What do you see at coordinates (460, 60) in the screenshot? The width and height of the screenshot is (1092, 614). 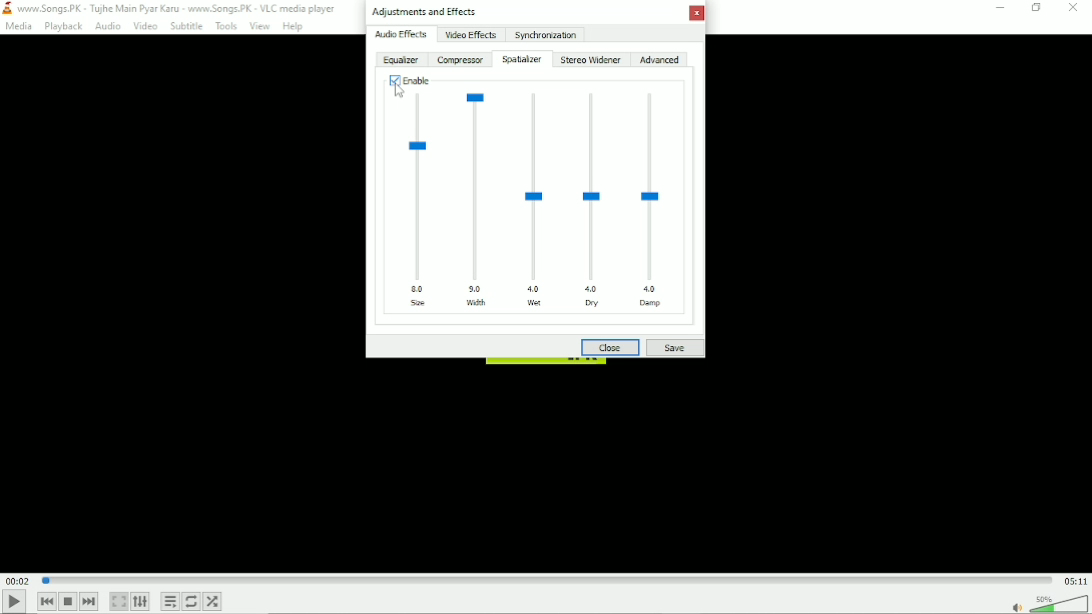 I see `Compressor` at bounding box center [460, 60].